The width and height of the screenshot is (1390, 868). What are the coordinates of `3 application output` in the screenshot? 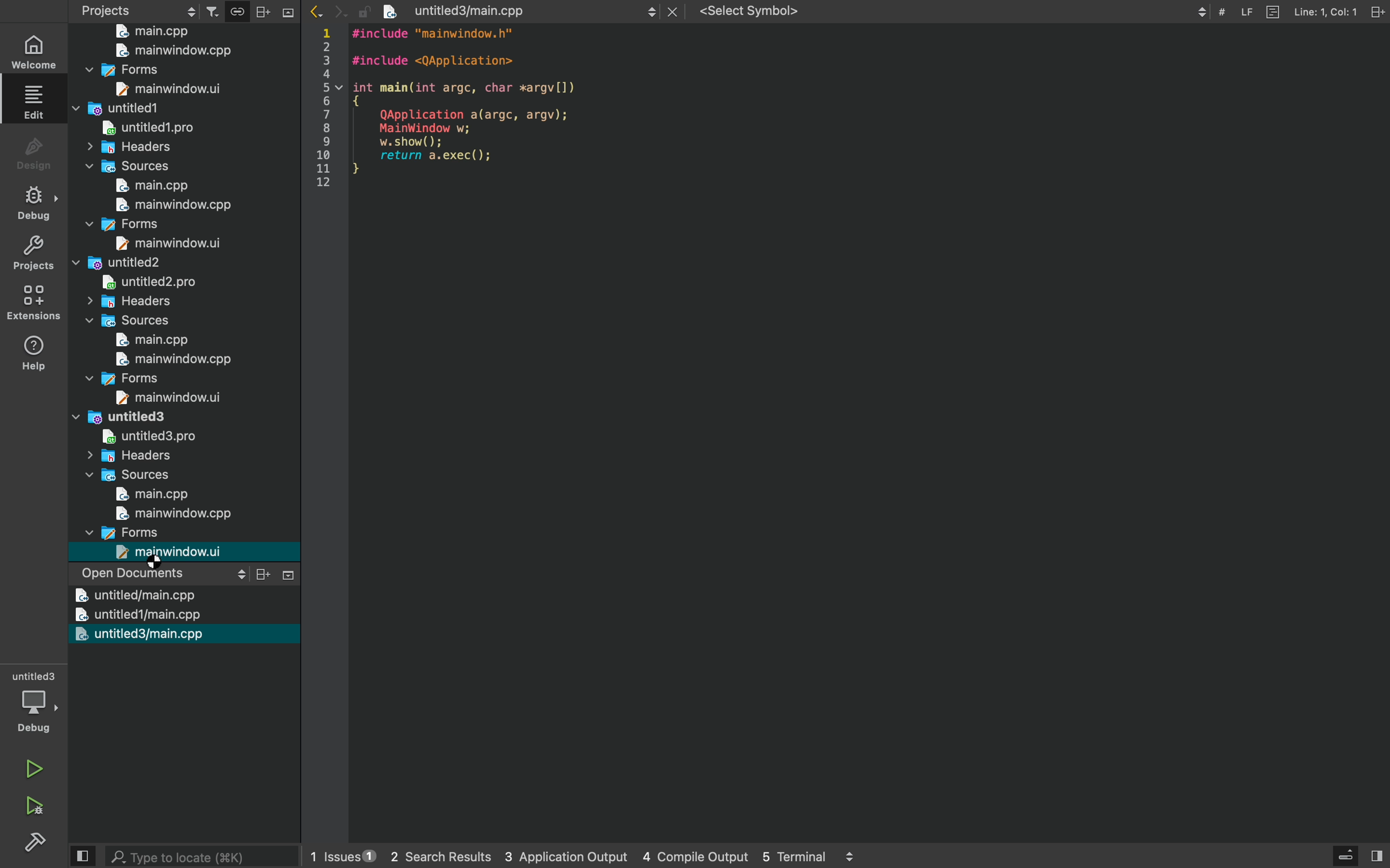 It's located at (550, 857).